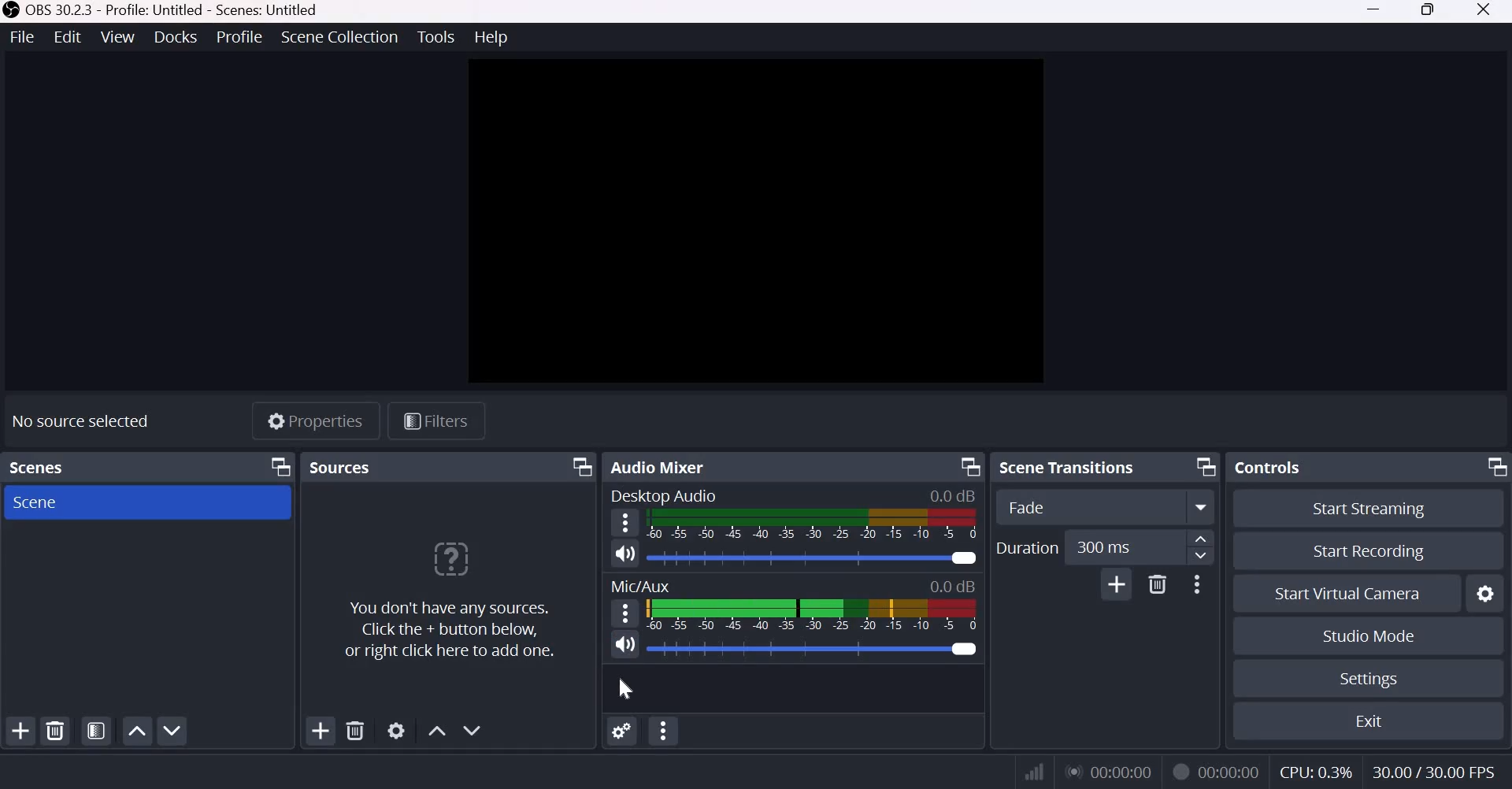 This screenshot has width=1512, height=789. Describe the element at coordinates (437, 729) in the screenshot. I see `Move source(s) up` at that location.